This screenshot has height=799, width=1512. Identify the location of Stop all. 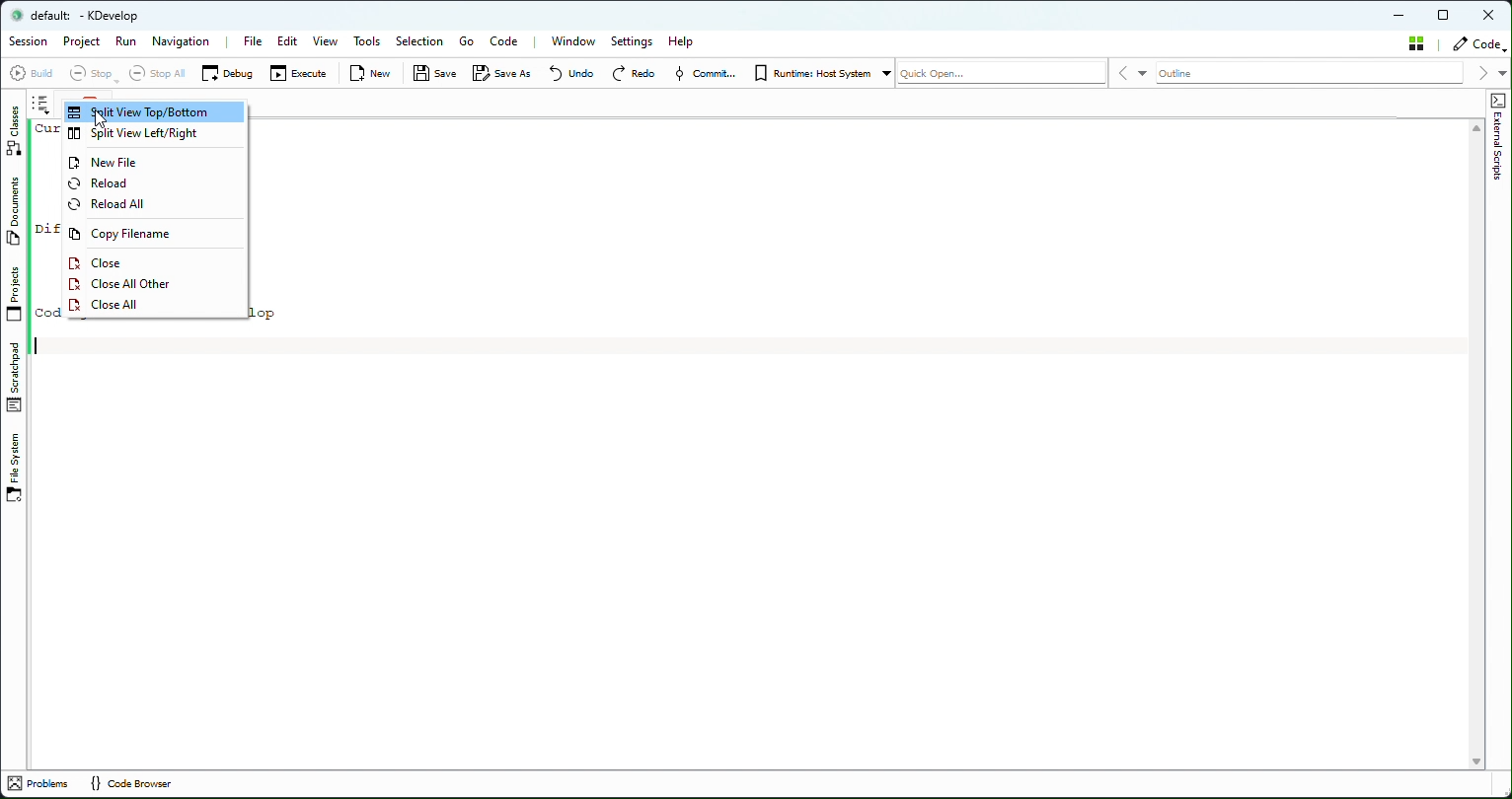
(159, 74).